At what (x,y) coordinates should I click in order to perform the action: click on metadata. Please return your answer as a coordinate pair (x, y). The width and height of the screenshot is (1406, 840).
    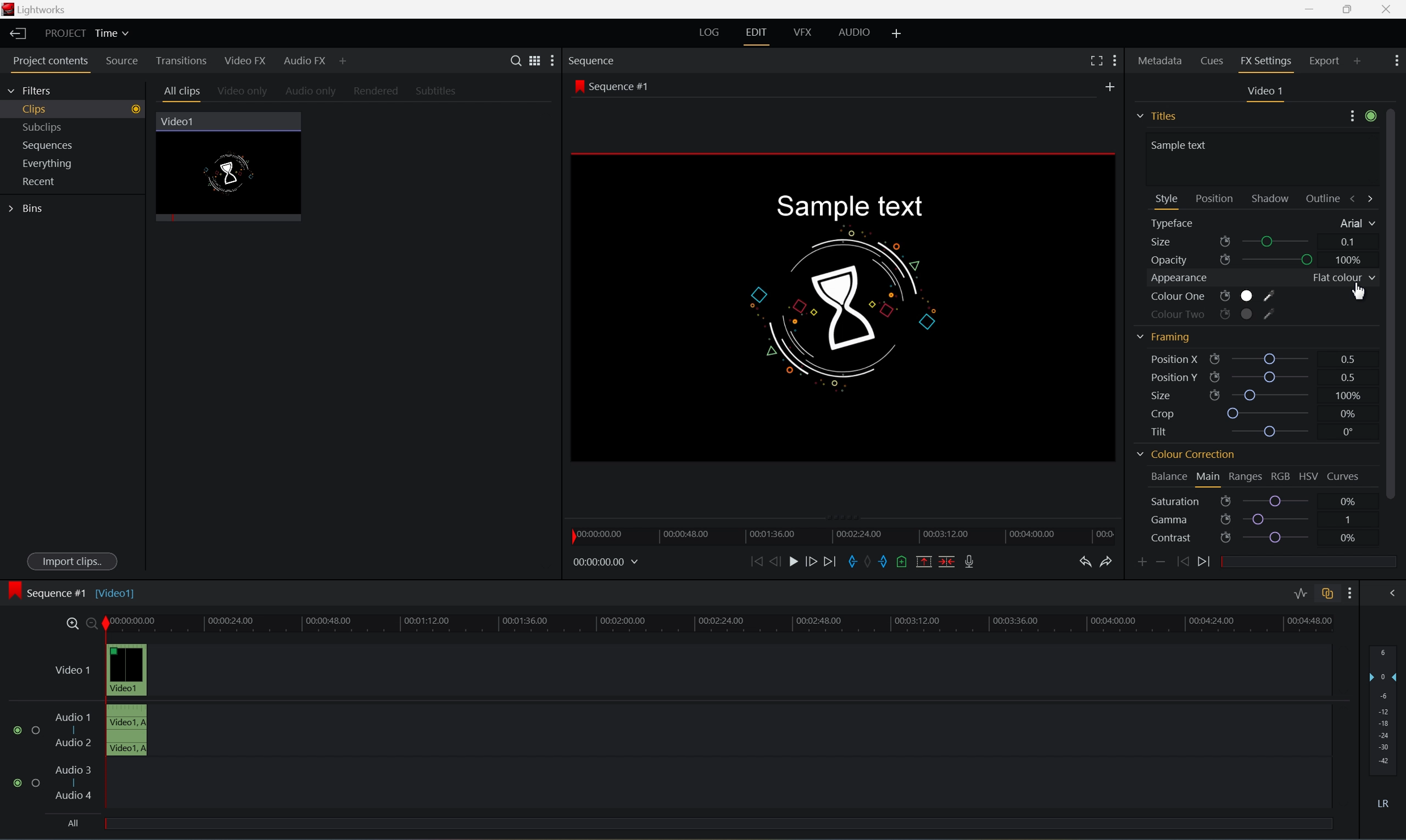
    Looking at the image, I should click on (1161, 63).